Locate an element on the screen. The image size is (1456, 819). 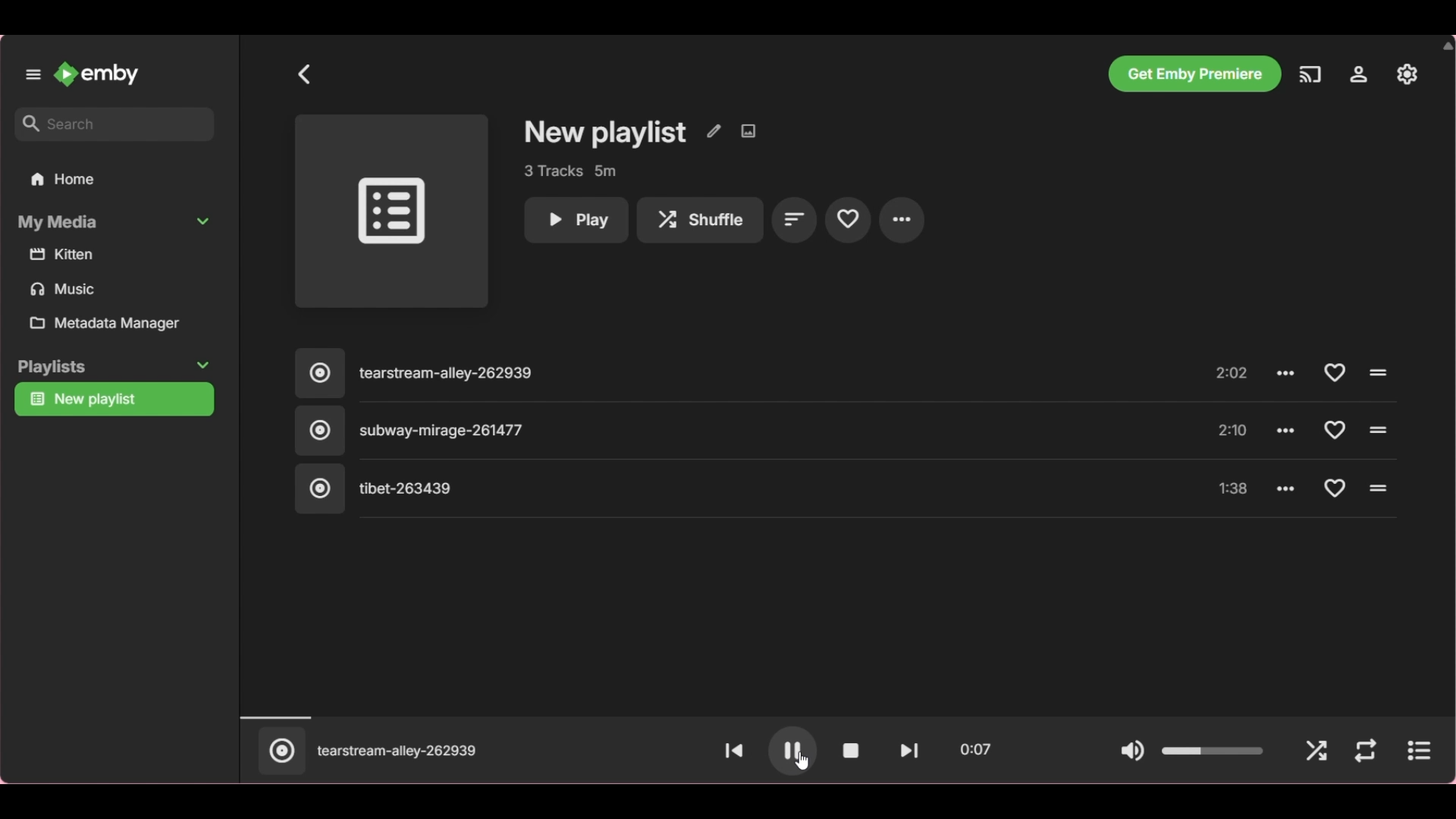
Unpin left panel is located at coordinates (33, 75).